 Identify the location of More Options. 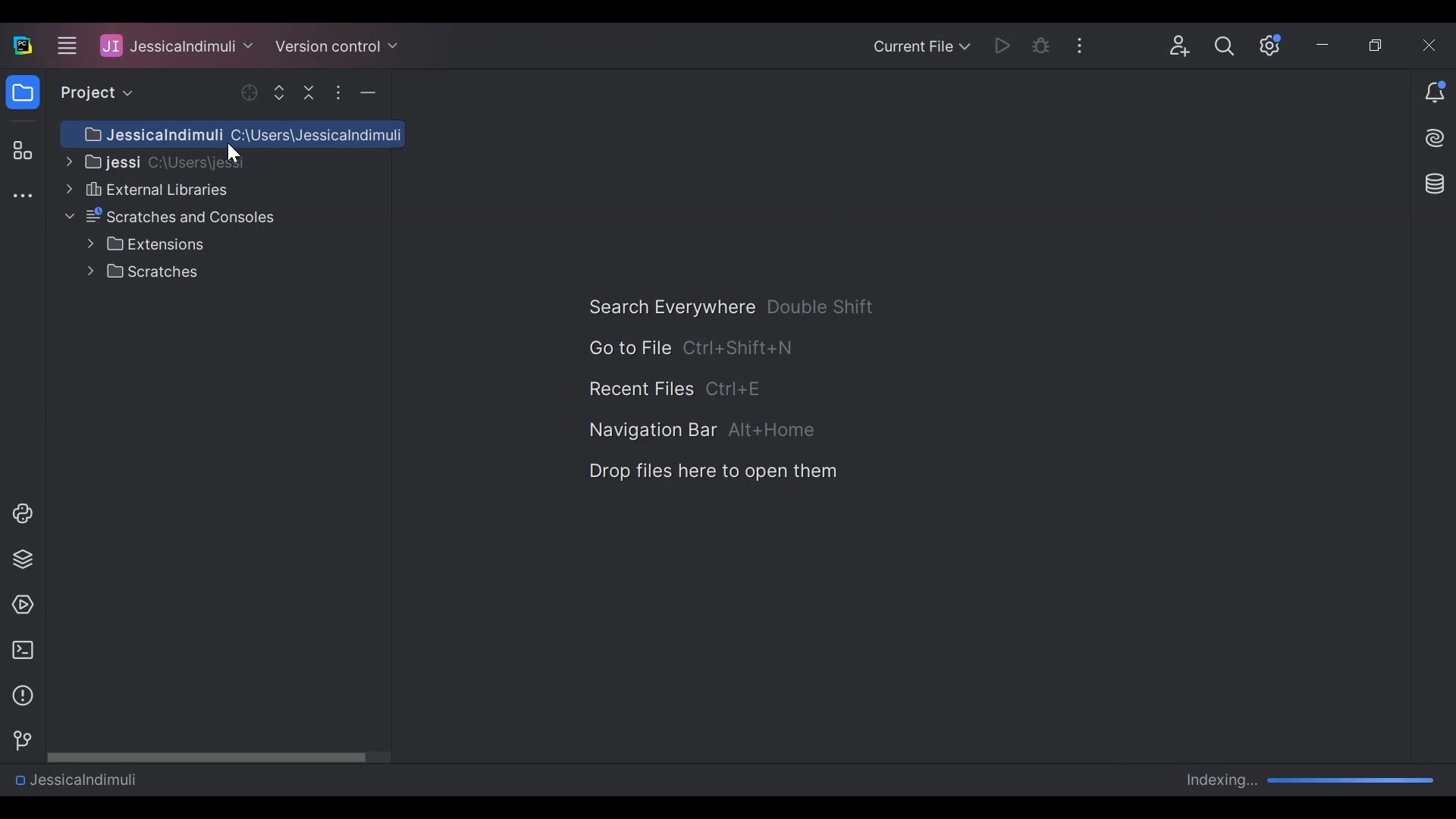
(1084, 44).